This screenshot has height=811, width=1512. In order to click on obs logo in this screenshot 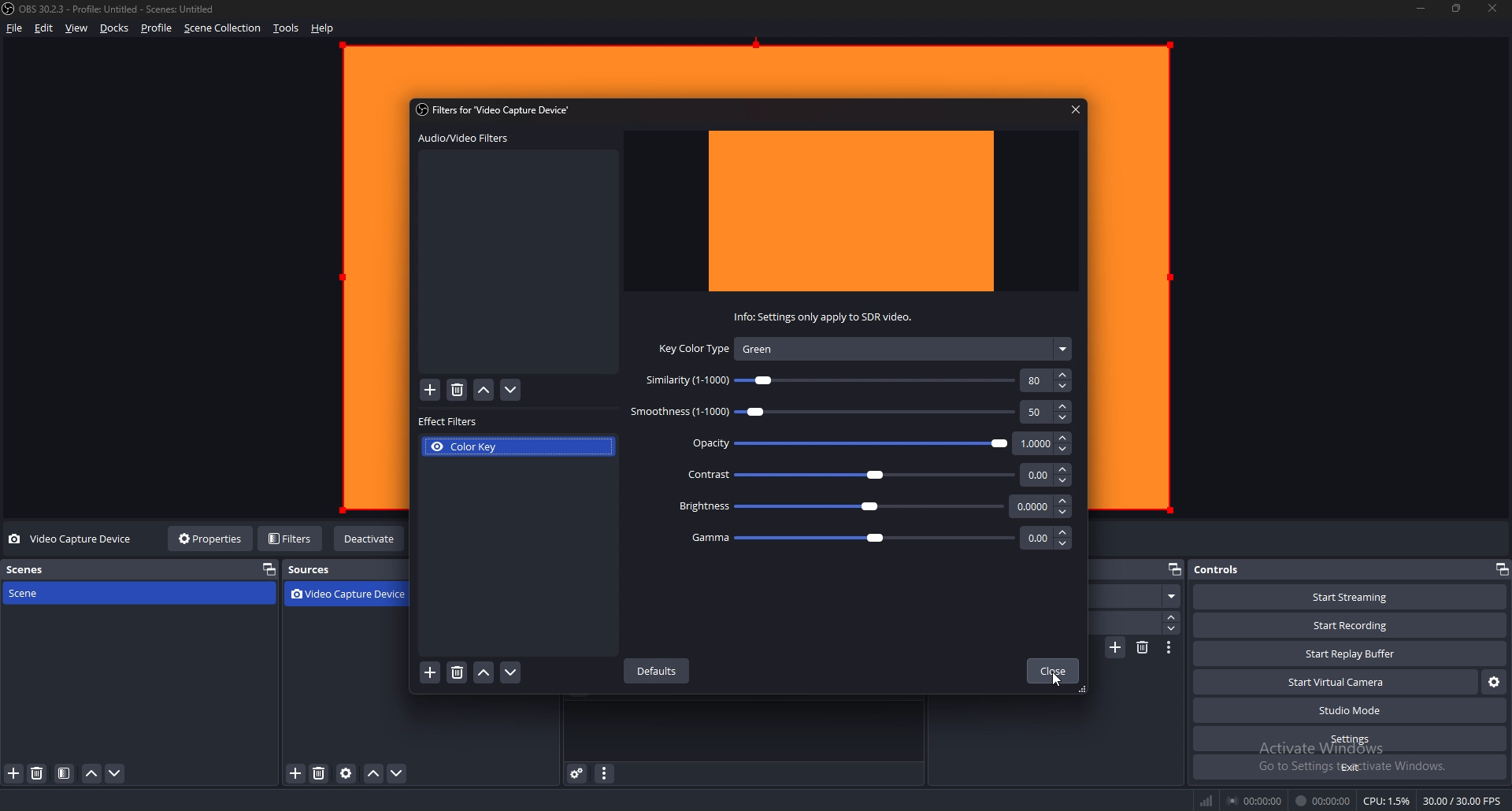, I will do `click(11, 10)`.